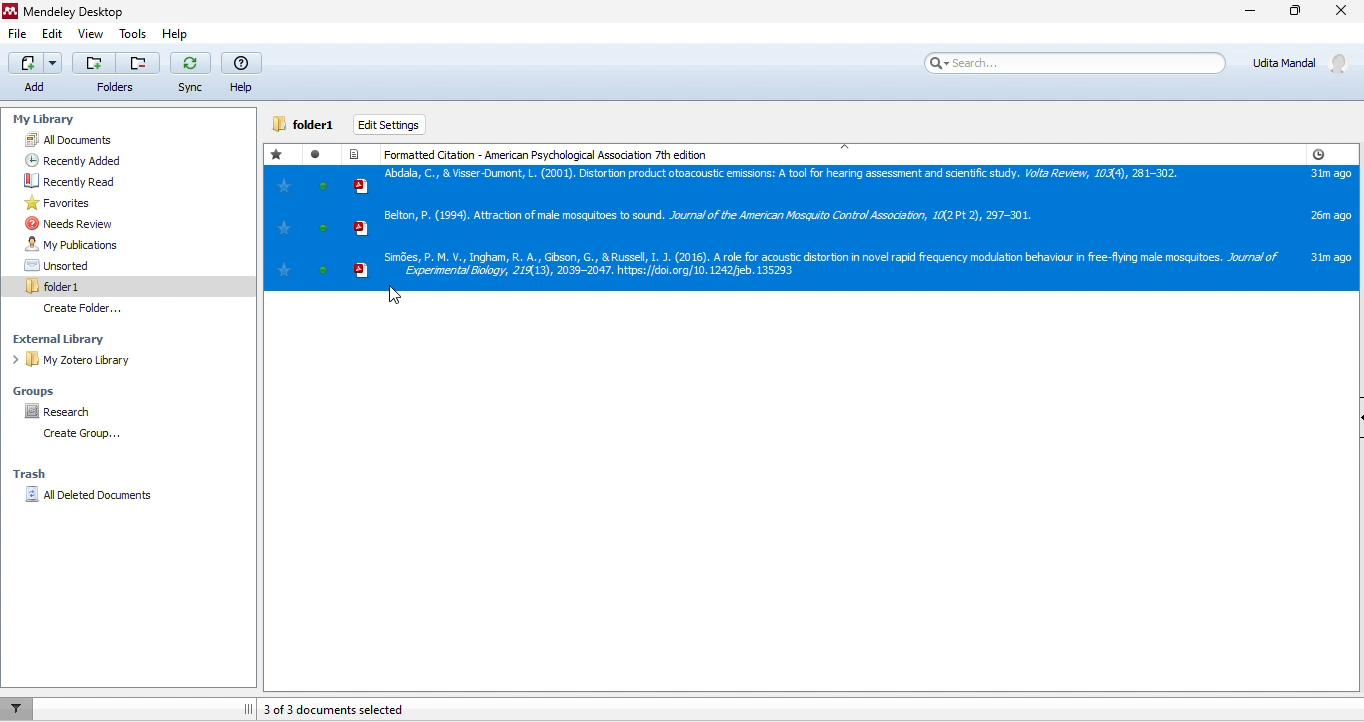 This screenshot has height=722, width=1364. Describe the element at coordinates (1240, 17) in the screenshot. I see `minimize` at that location.